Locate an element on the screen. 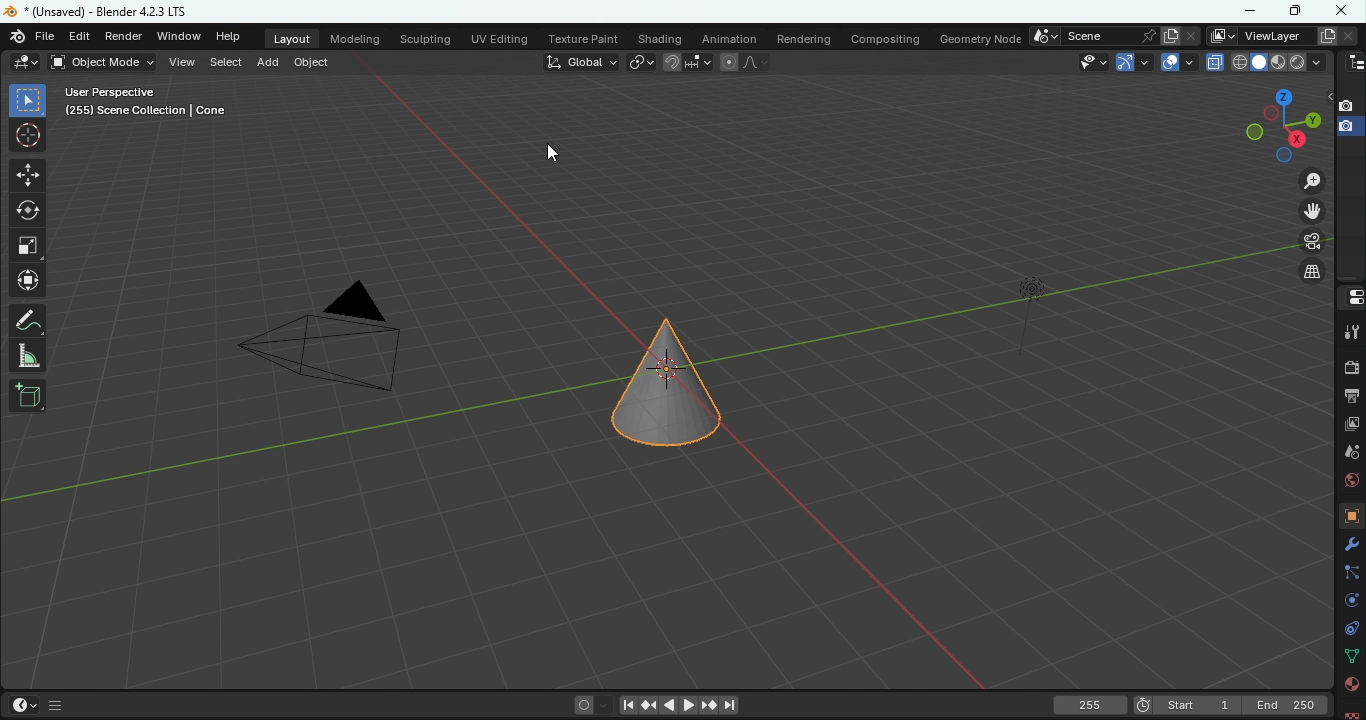 The width and height of the screenshot is (1366, 720). Jump to first/last frame in frame range is located at coordinates (731, 706).